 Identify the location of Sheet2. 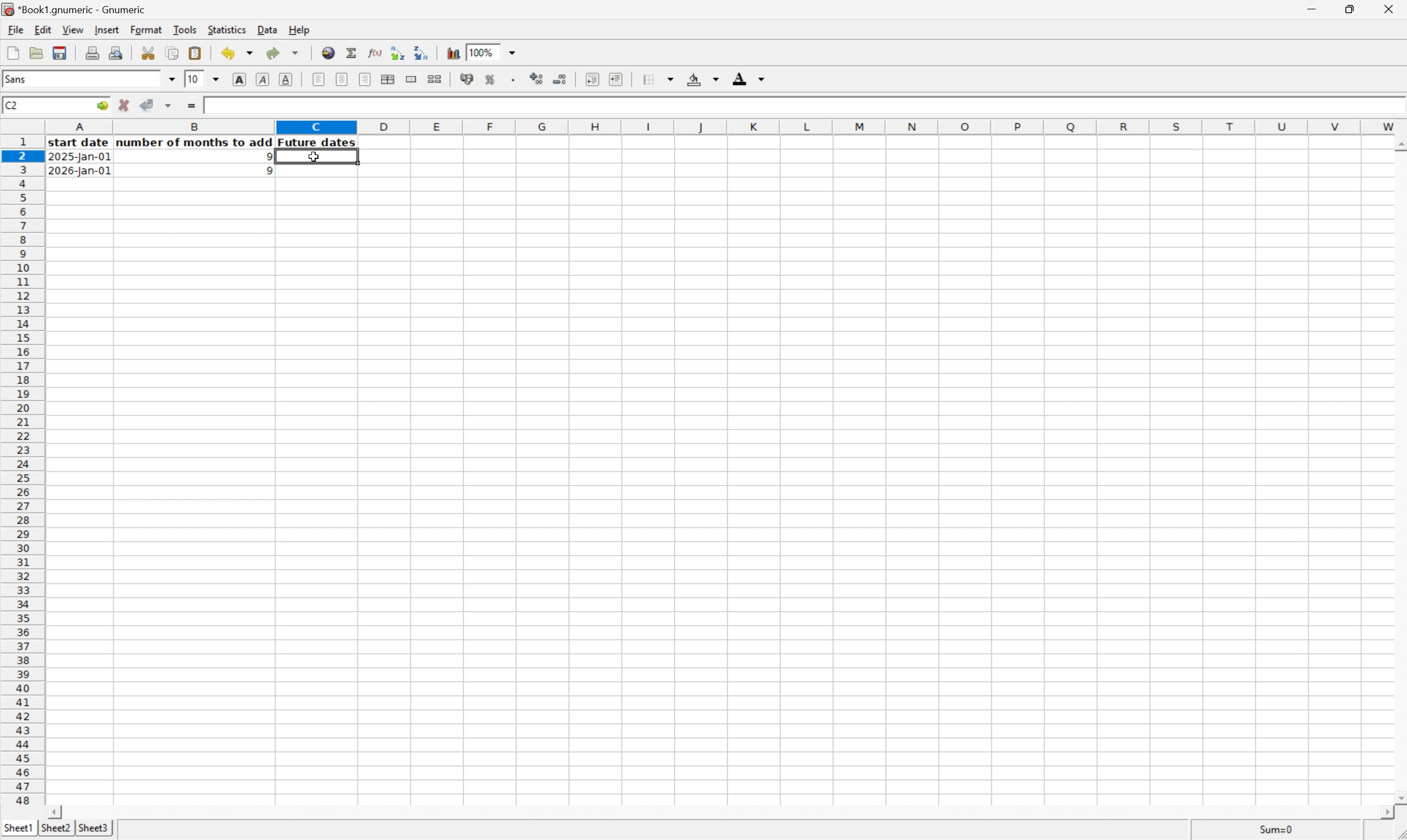
(55, 828).